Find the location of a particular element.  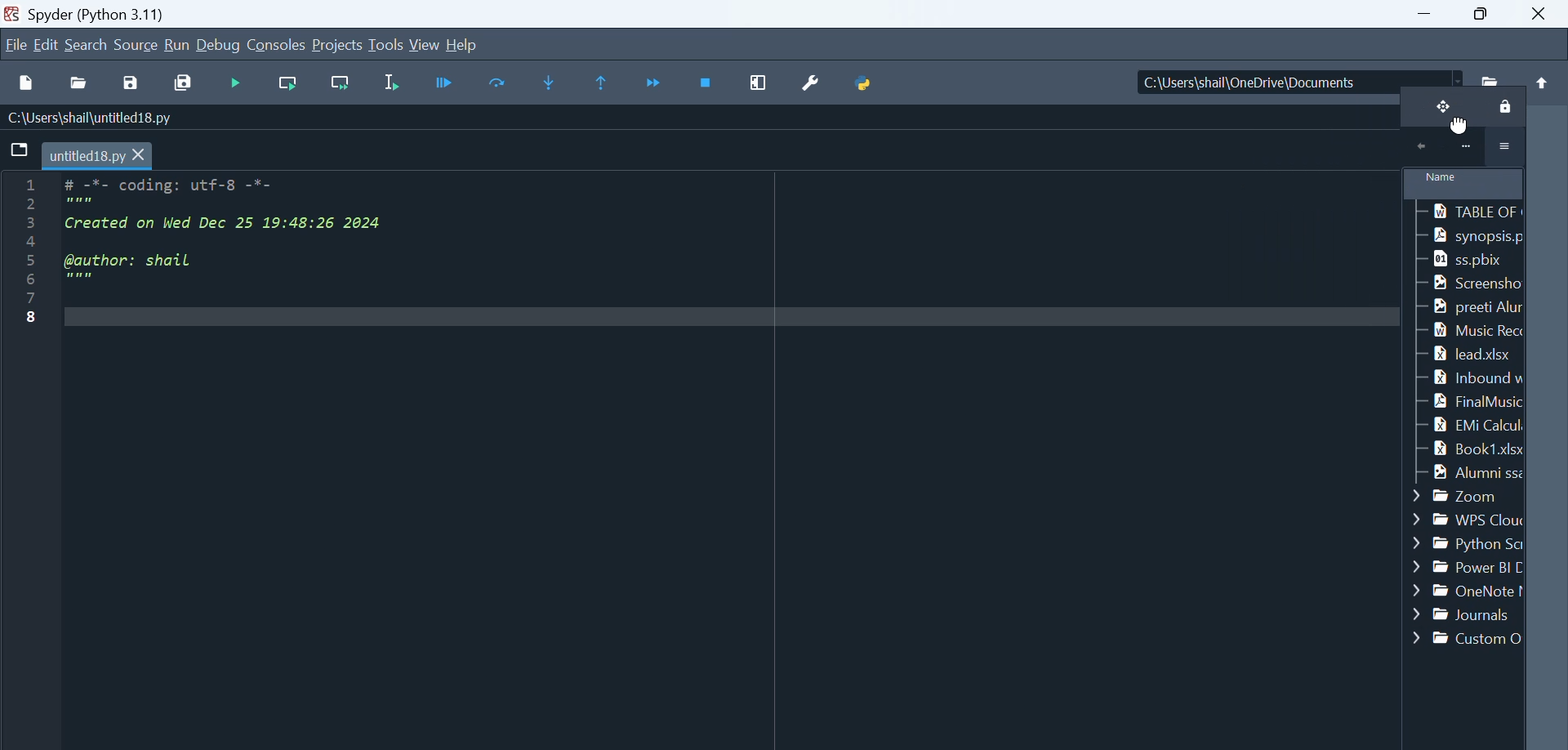

Close is located at coordinates (1544, 13).